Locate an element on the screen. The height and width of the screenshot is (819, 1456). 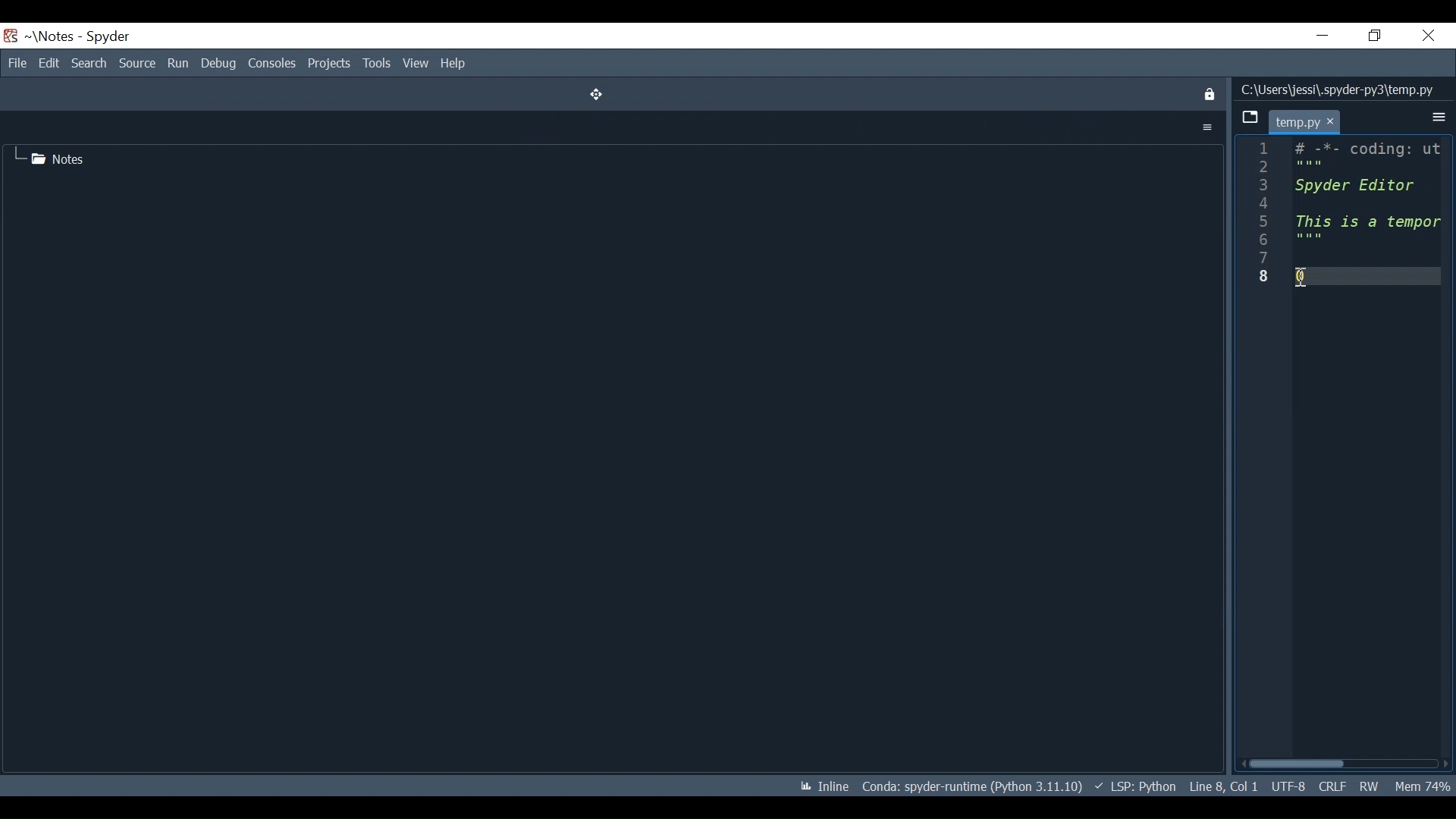
 C:\Users\jessi\.spyder-py3\temp.py is located at coordinates (1339, 88).